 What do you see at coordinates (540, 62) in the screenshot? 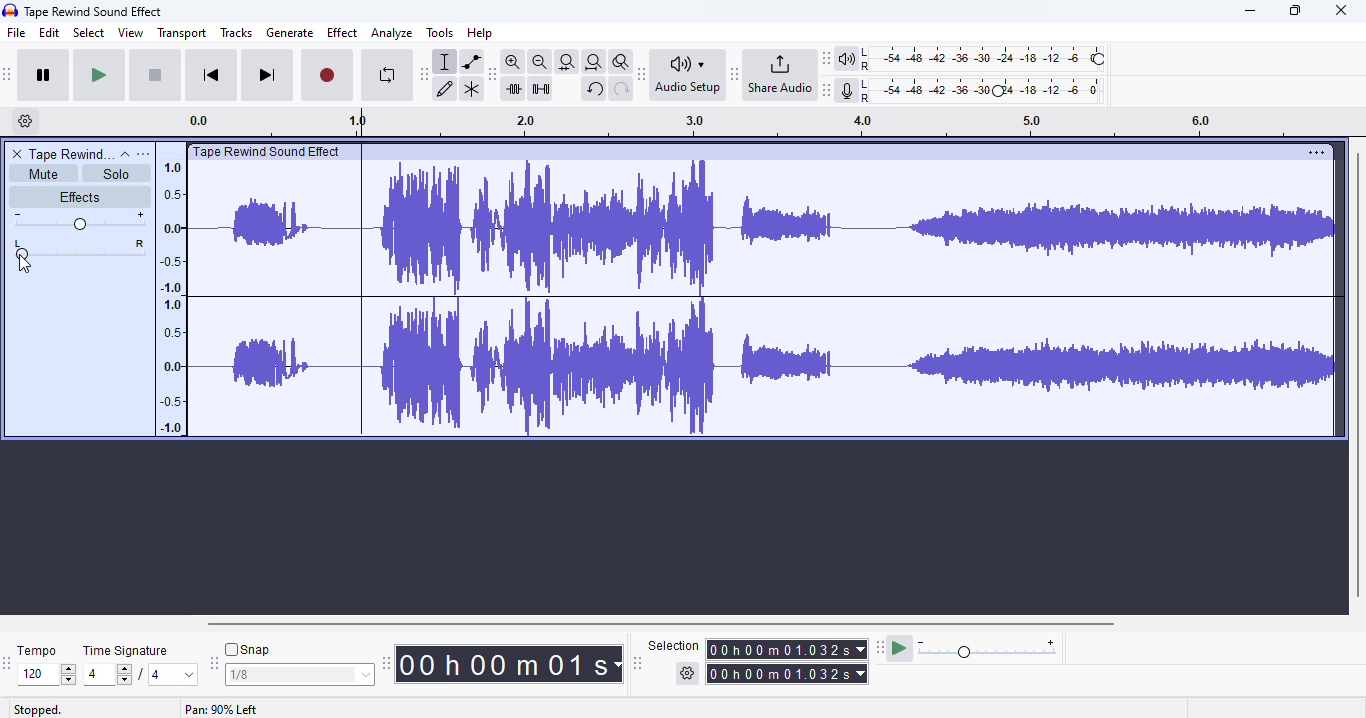
I see `zoom out` at bounding box center [540, 62].